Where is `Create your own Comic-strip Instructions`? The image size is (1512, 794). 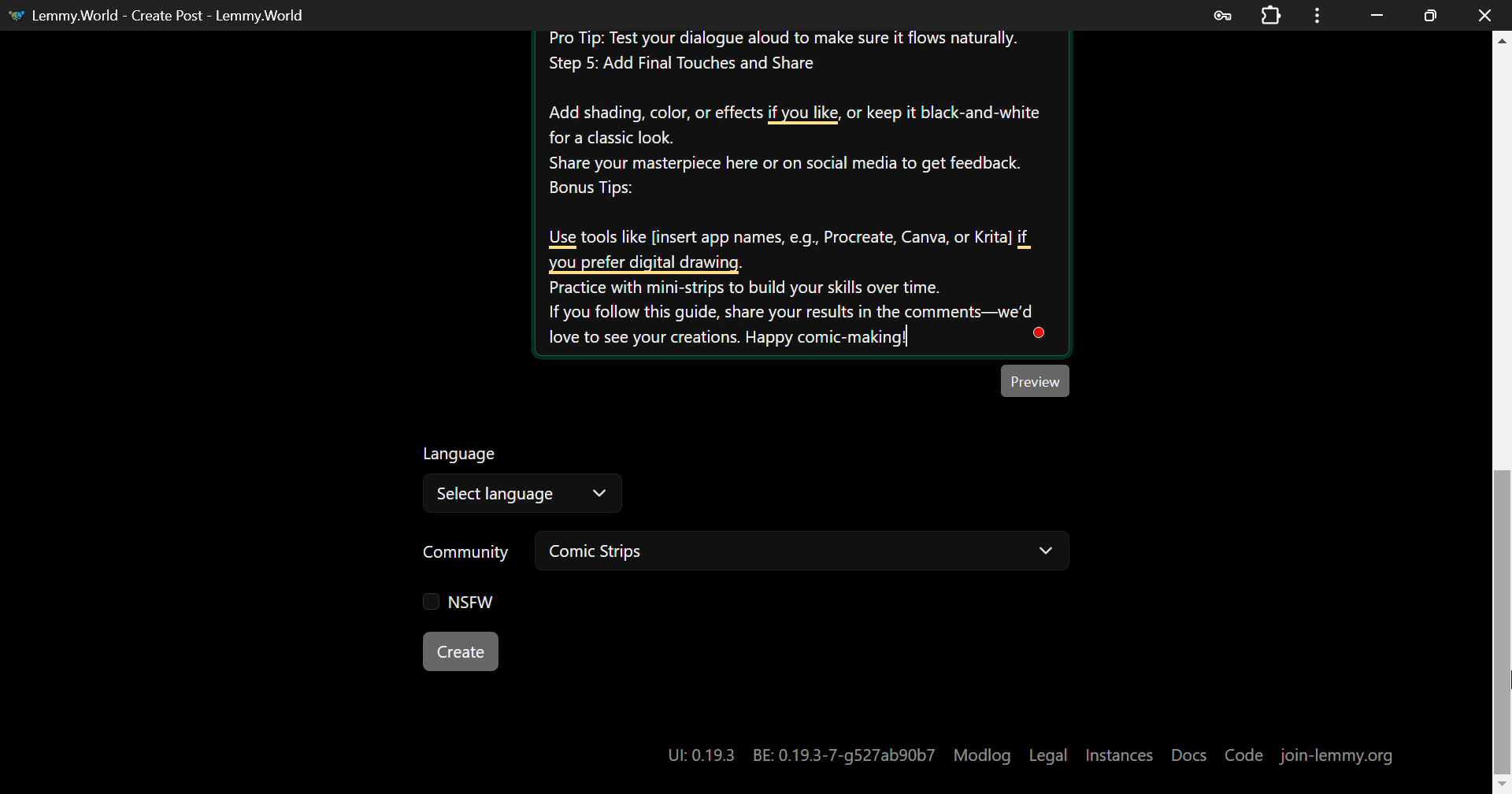 Create your own Comic-strip Instructions is located at coordinates (802, 192).